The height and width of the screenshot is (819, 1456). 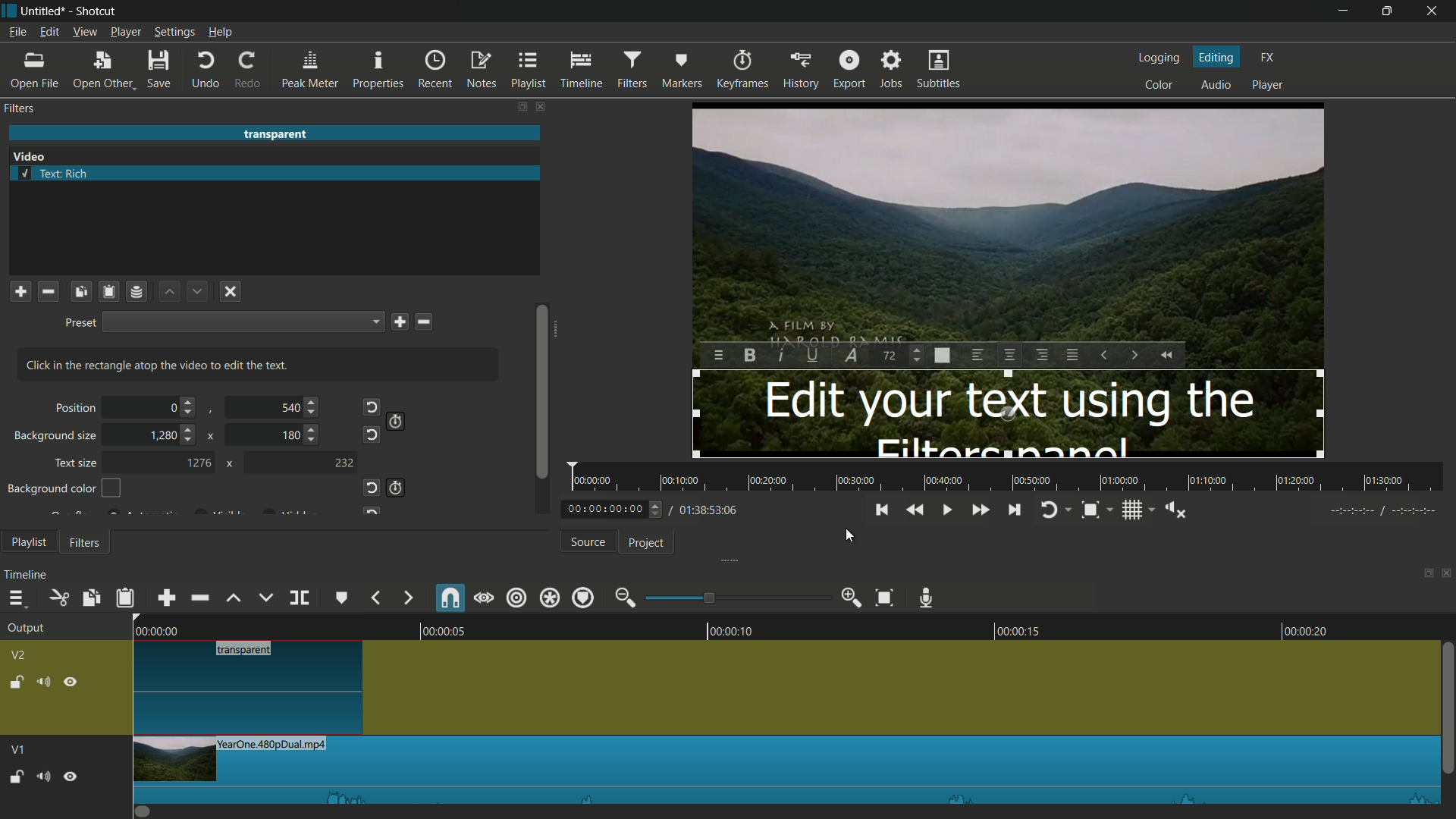 What do you see at coordinates (380, 71) in the screenshot?
I see `properties` at bounding box center [380, 71].